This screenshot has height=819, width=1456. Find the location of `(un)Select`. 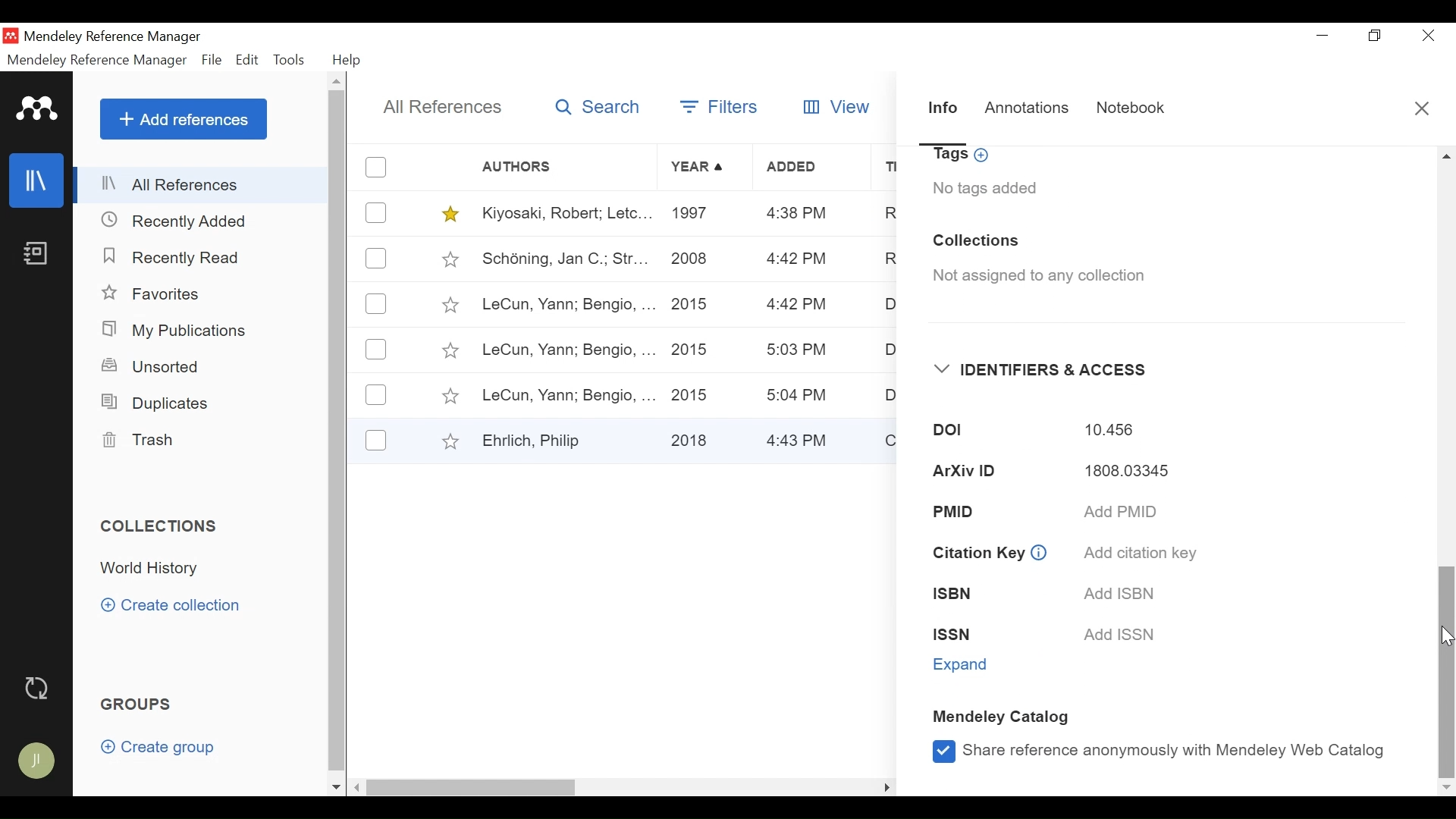

(un)Select is located at coordinates (376, 259).